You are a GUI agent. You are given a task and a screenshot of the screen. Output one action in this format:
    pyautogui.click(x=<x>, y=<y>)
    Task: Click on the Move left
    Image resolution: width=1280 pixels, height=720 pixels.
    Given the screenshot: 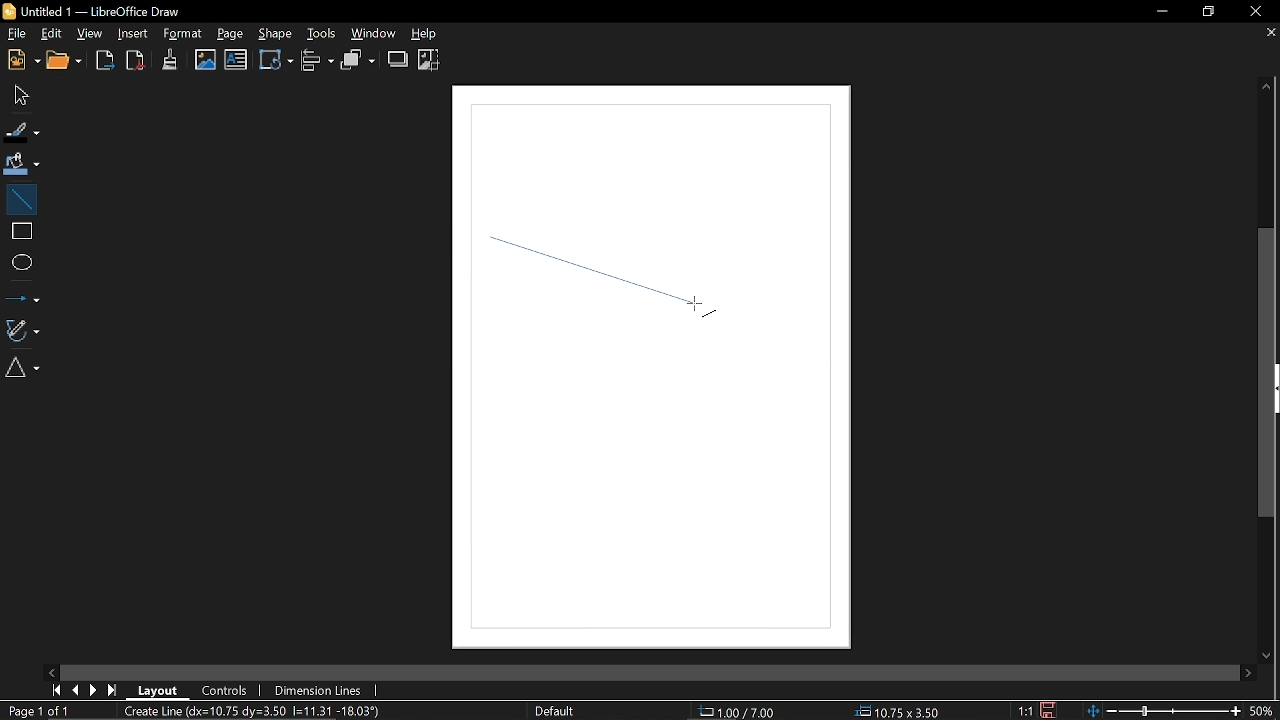 What is the action you would take?
    pyautogui.click(x=54, y=671)
    